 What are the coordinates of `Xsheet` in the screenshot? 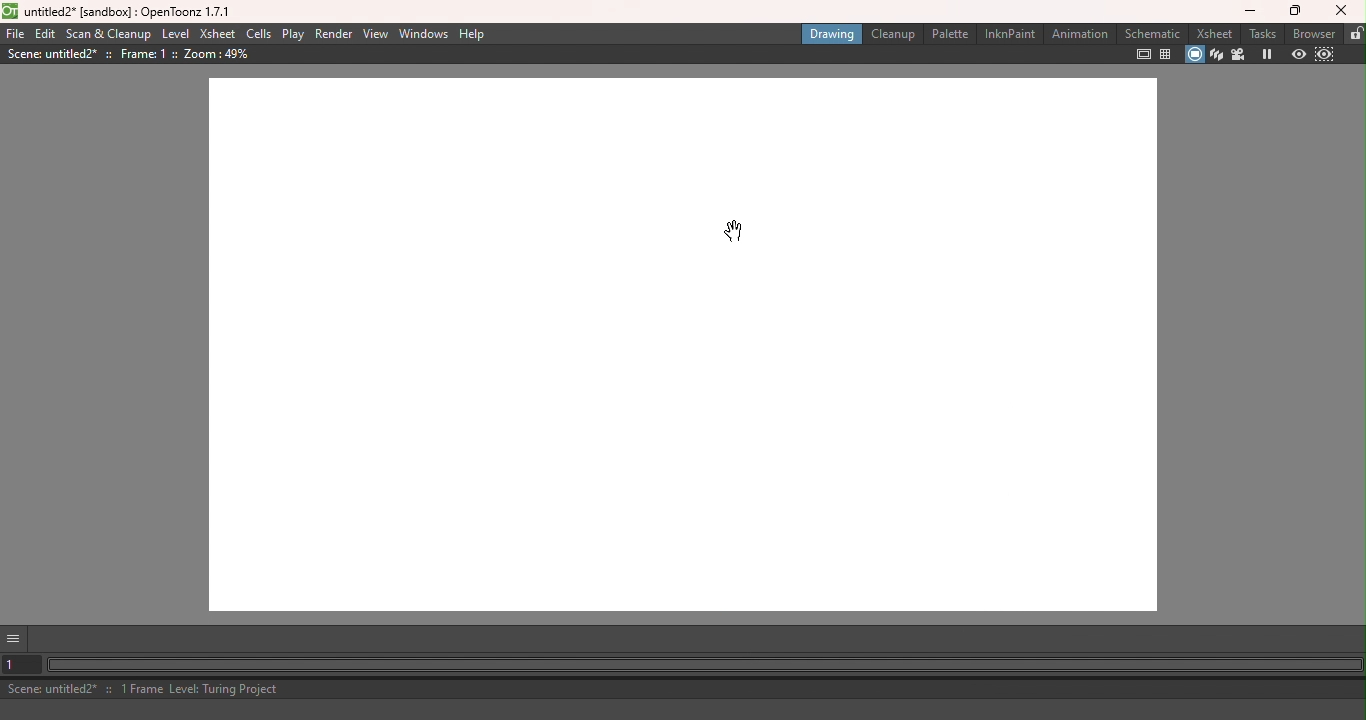 It's located at (218, 34).